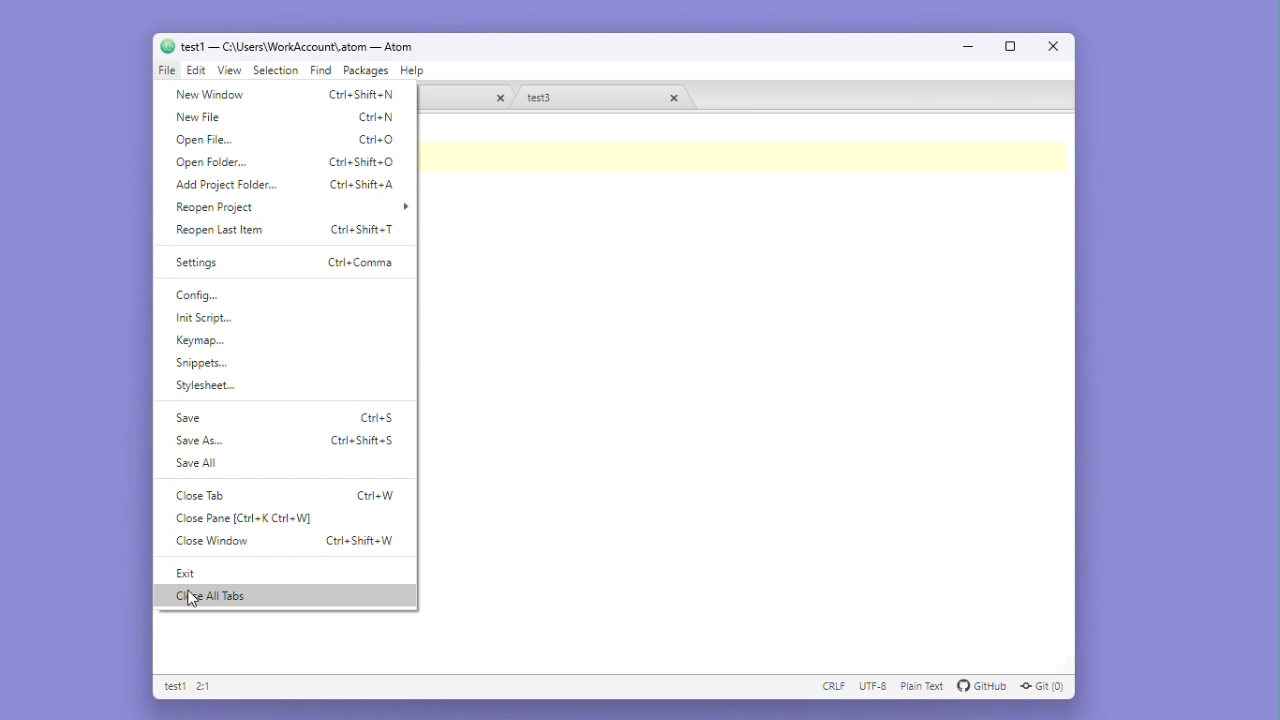 The image size is (1280, 720). Describe the element at coordinates (197, 464) in the screenshot. I see `save all` at that location.